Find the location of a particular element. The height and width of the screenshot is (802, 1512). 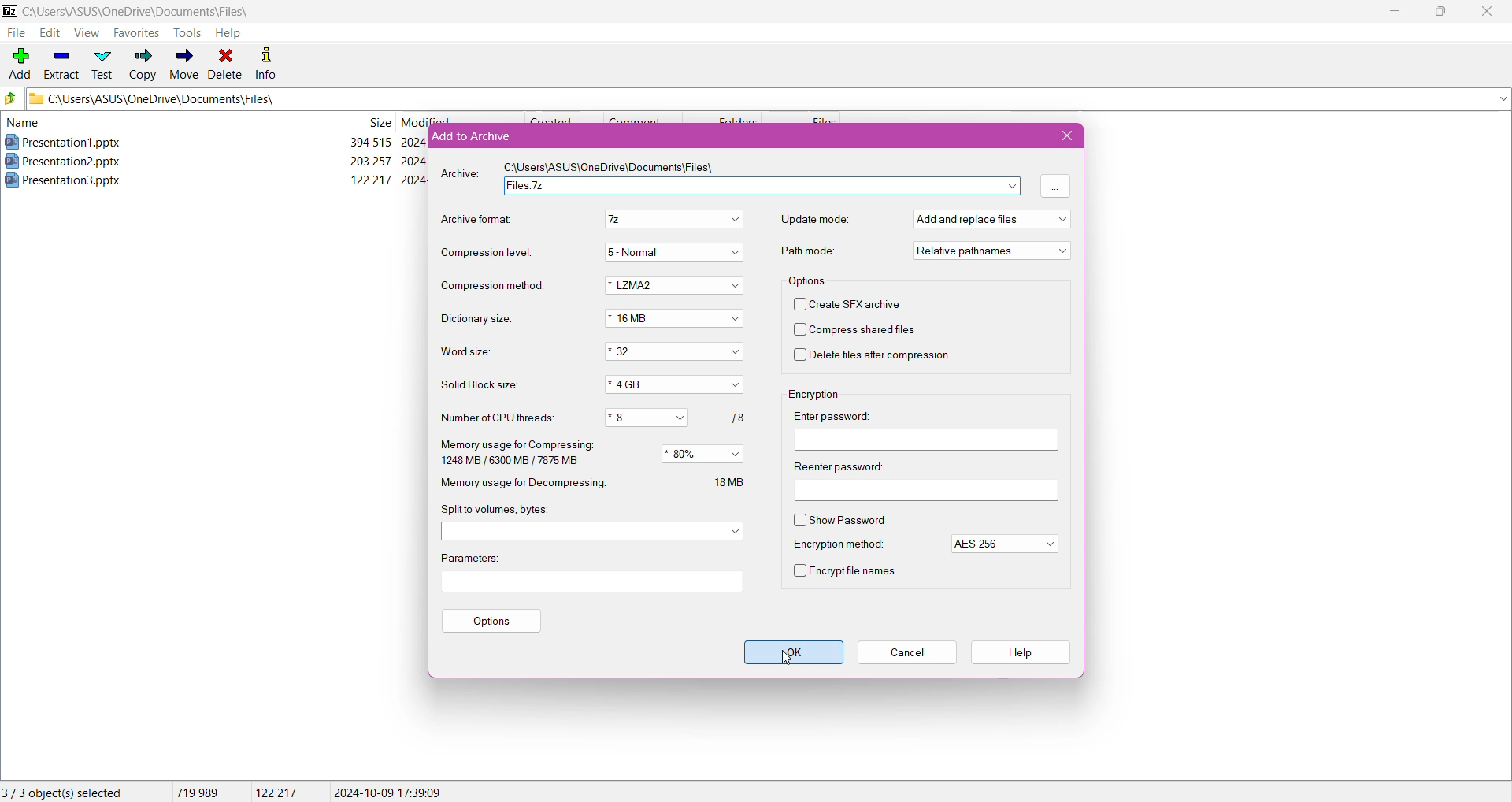

Update mode is located at coordinates (812, 220).